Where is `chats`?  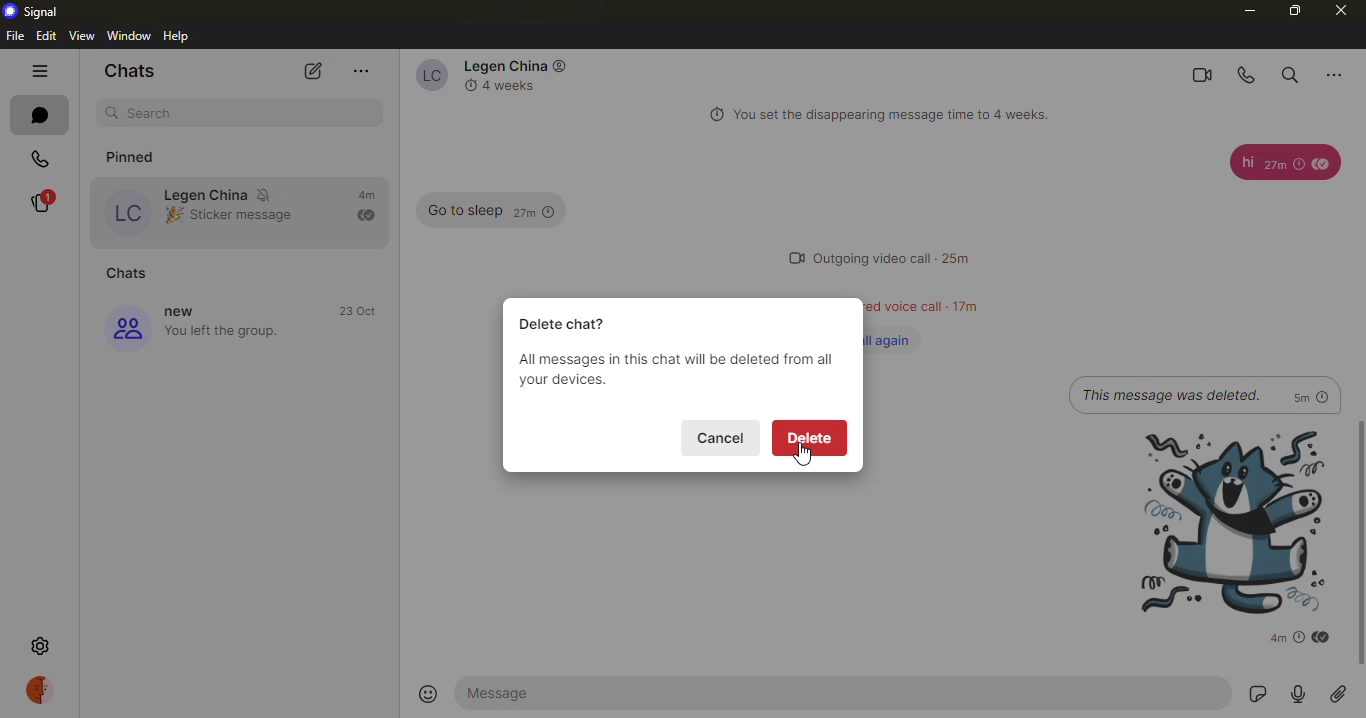 chats is located at coordinates (35, 115).